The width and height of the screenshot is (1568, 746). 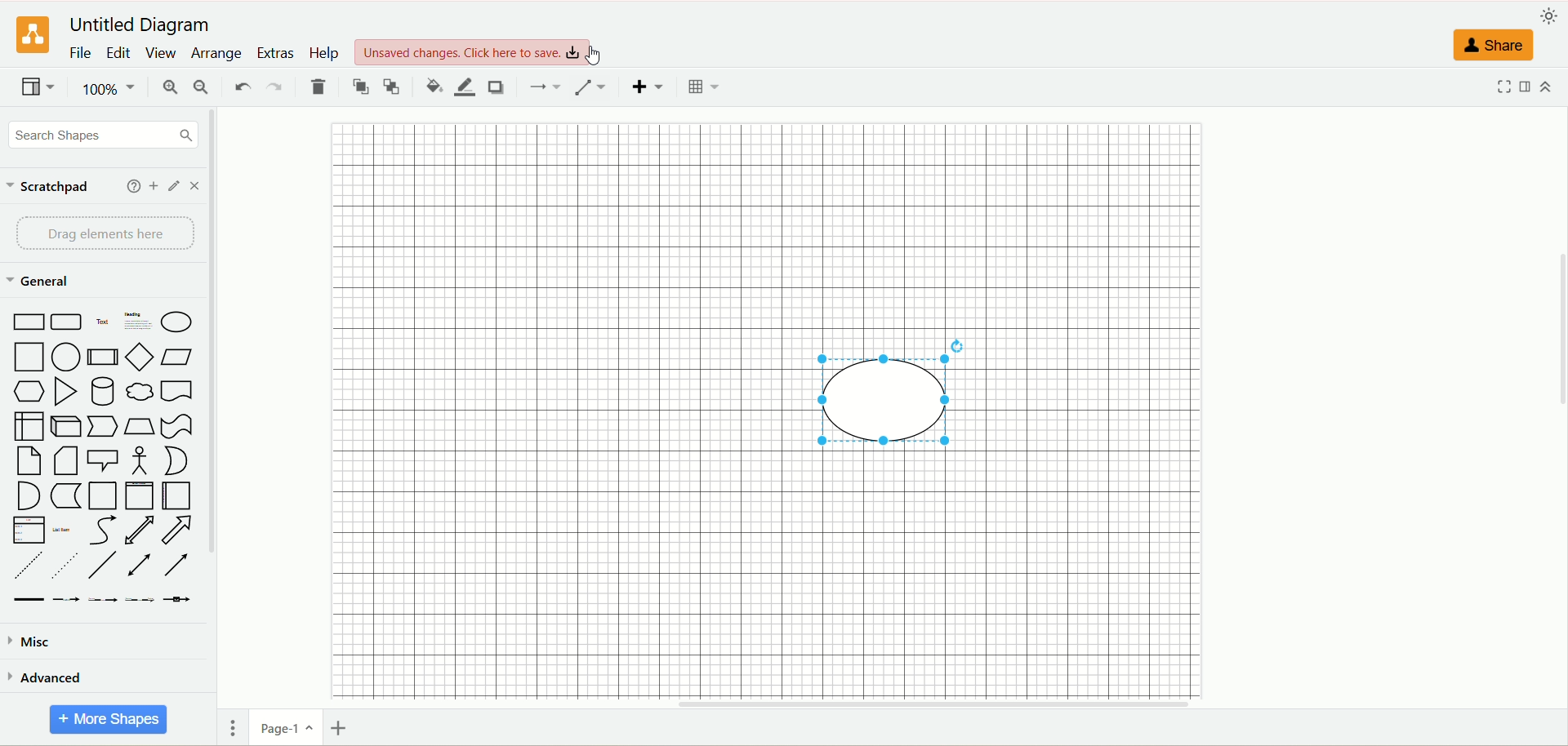 What do you see at coordinates (547, 86) in the screenshot?
I see `connection` at bounding box center [547, 86].